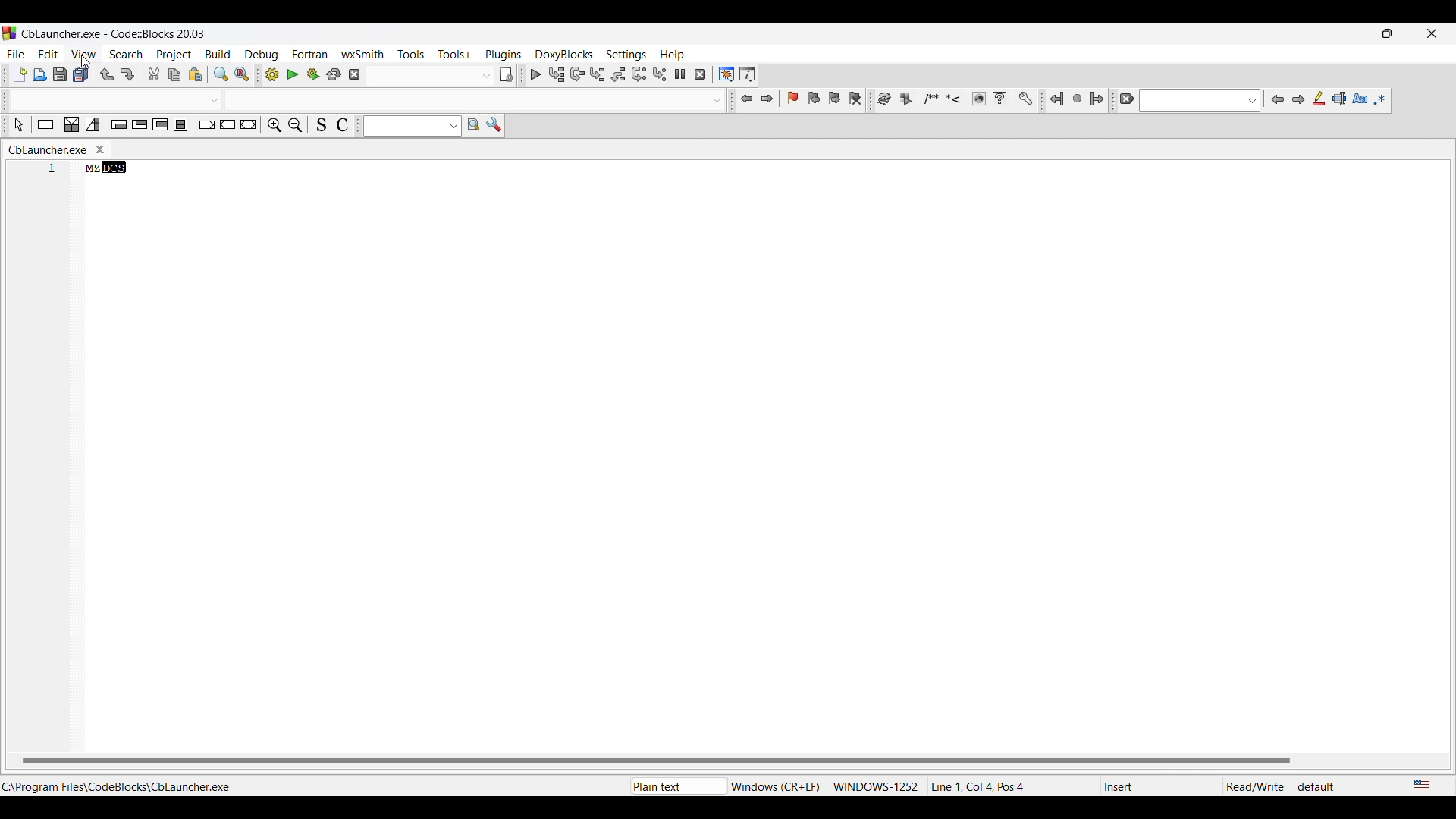  Describe the element at coordinates (1078, 99) in the screenshot. I see `Last jump` at that location.